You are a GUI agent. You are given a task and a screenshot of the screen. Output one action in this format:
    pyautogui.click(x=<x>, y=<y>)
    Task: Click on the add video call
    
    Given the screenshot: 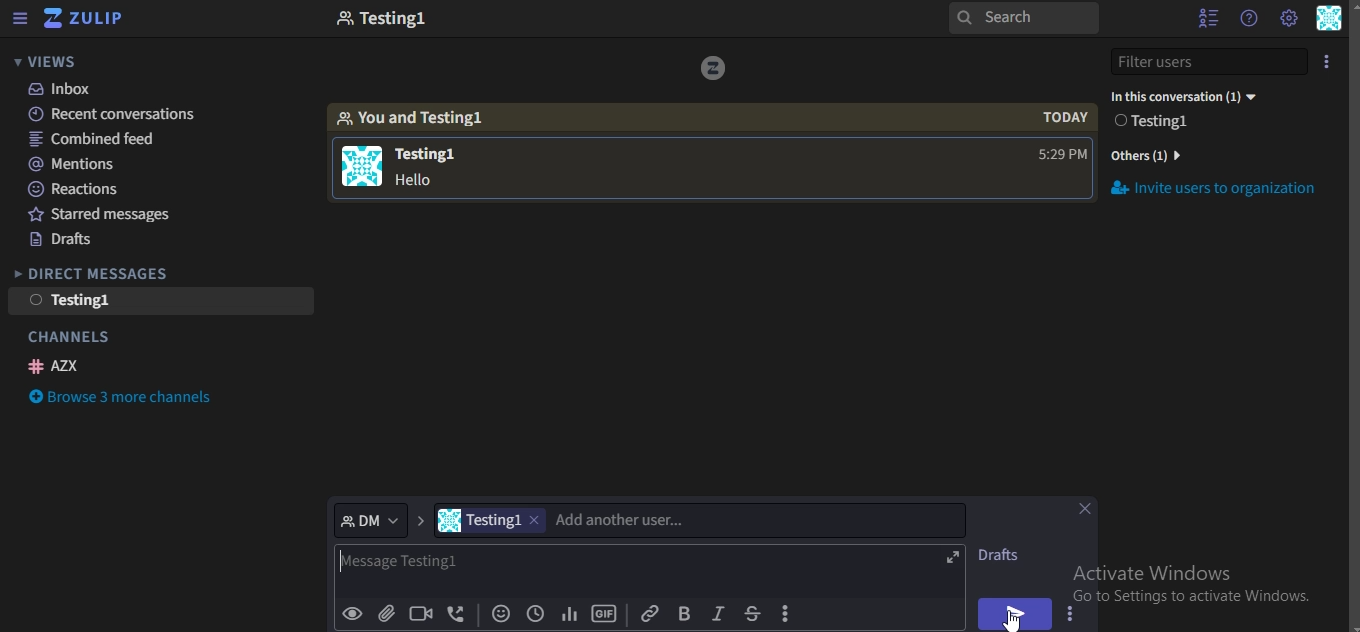 What is the action you would take?
    pyautogui.click(x=422, y=613)
    